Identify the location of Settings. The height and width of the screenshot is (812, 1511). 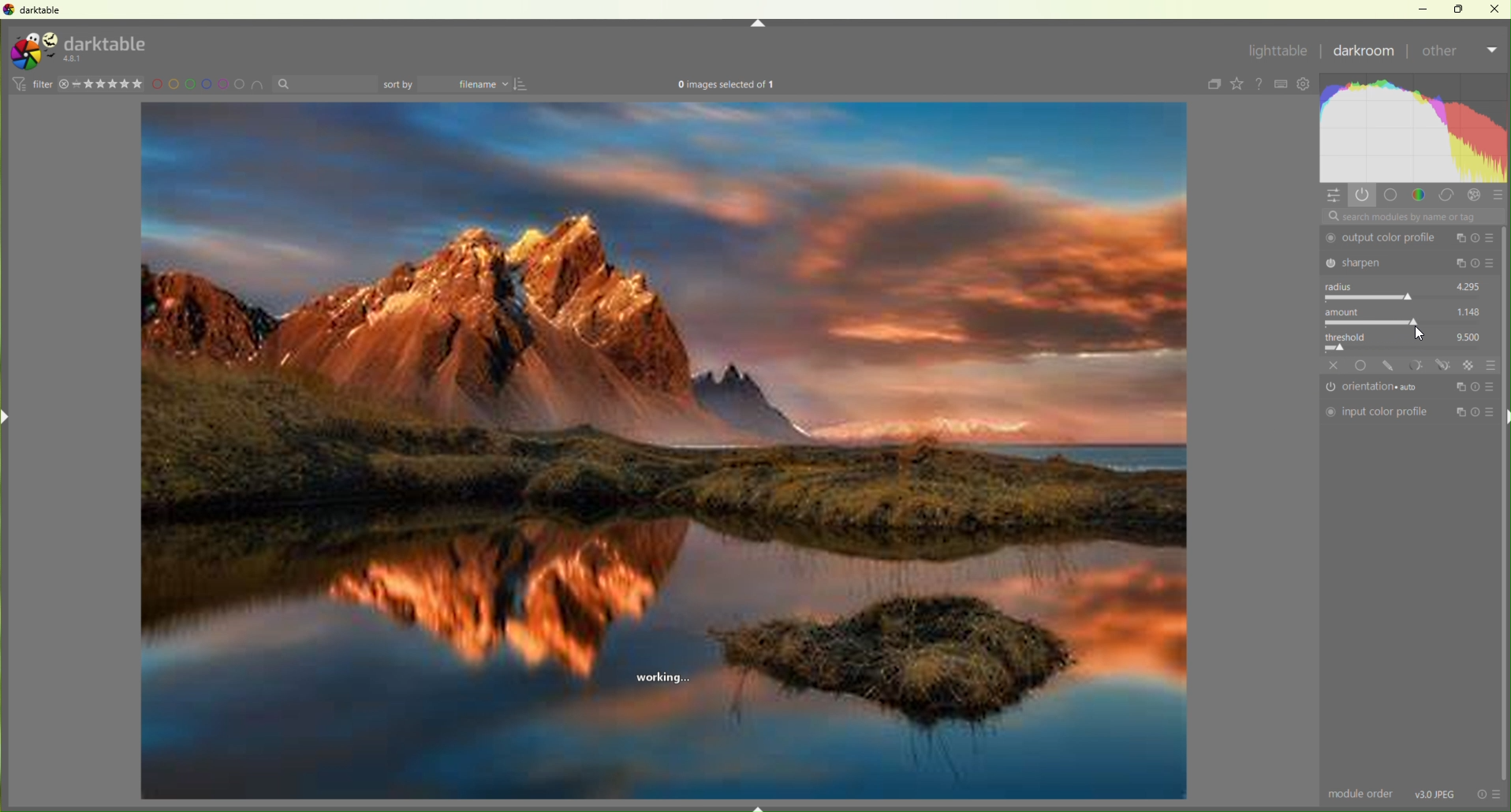
(1307, 85).